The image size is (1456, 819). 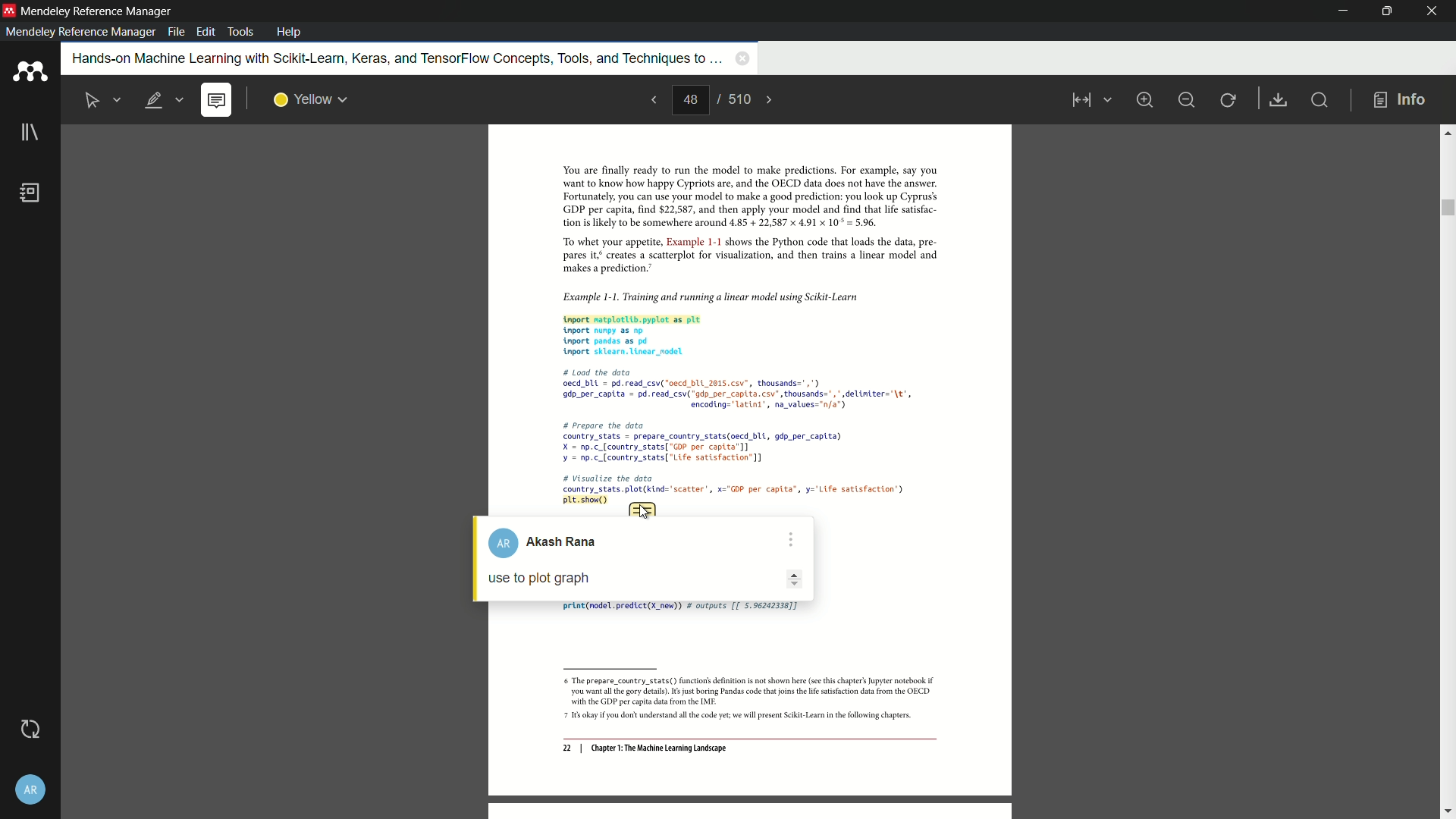 I want to click on help menu, so click(x=289, y=32).